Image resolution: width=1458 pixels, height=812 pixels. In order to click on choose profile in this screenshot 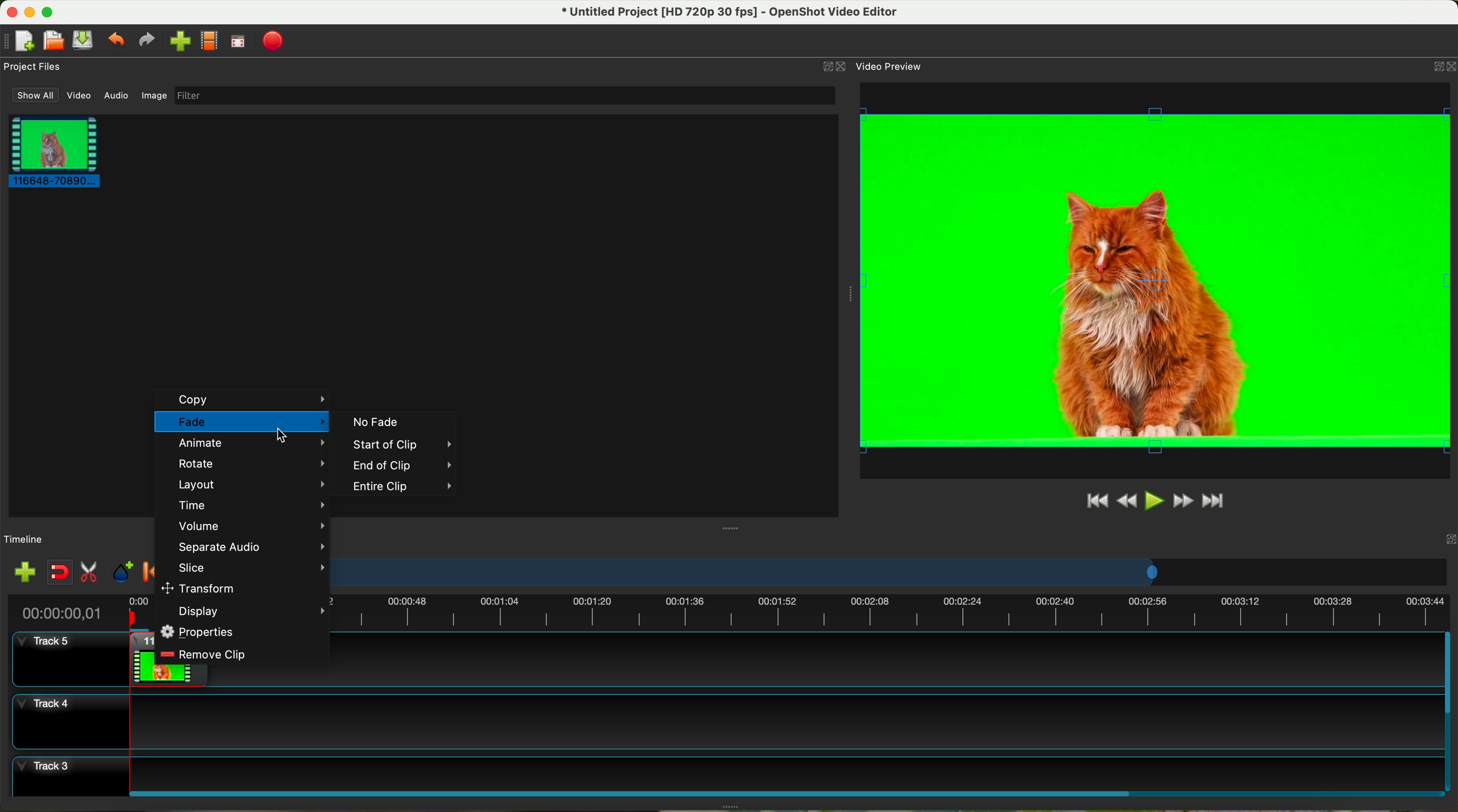, I will do `click(209, 41)`.